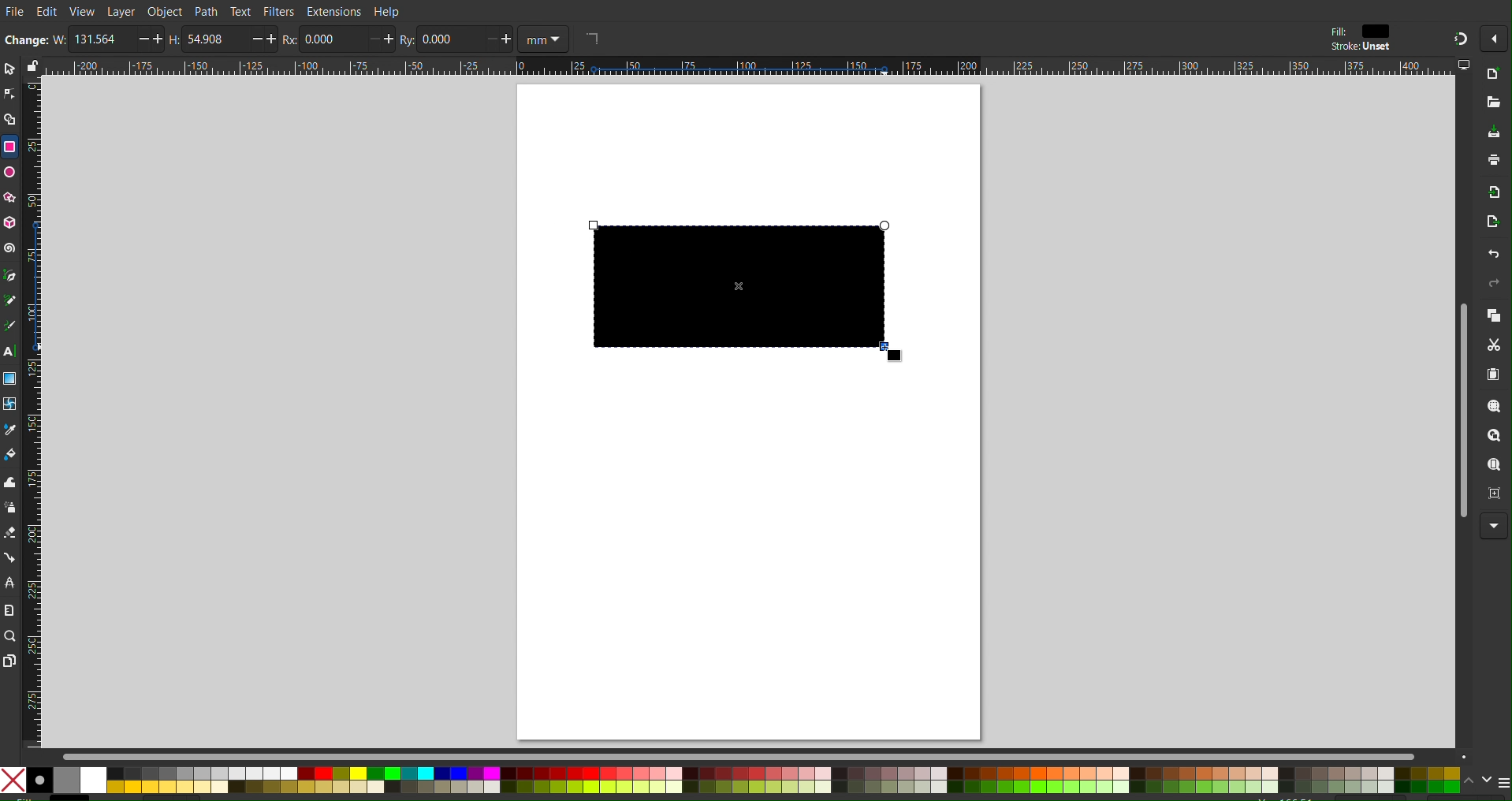  What do you see at coordinates (1477, 781) in the screenshot?
I see `navigate the colors` at bounding box center [1477, 781].